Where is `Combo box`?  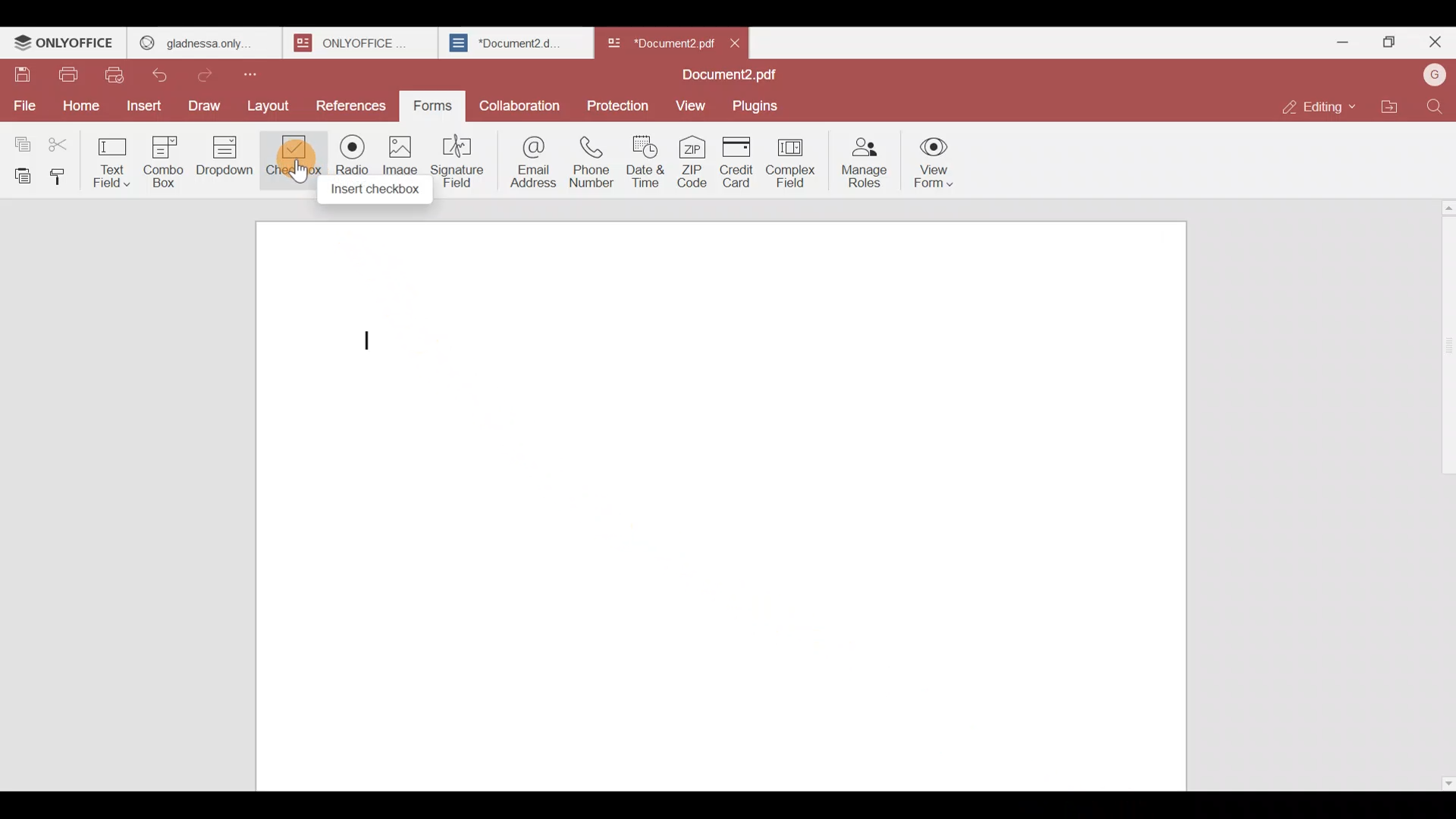 Combo box is located at coordinates (163, 159).